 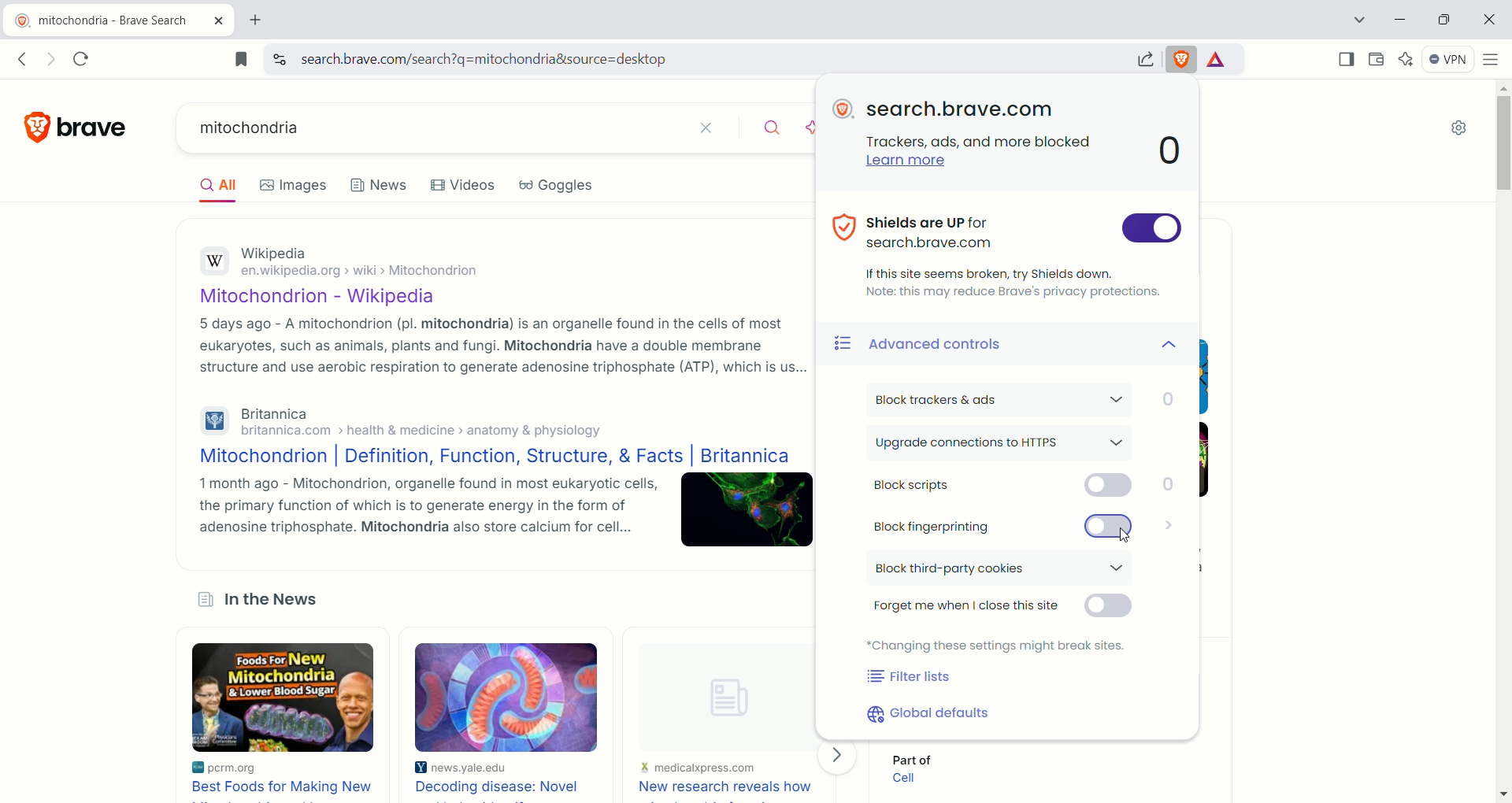 I want to click on Learn more, so click(x=898, y=161).